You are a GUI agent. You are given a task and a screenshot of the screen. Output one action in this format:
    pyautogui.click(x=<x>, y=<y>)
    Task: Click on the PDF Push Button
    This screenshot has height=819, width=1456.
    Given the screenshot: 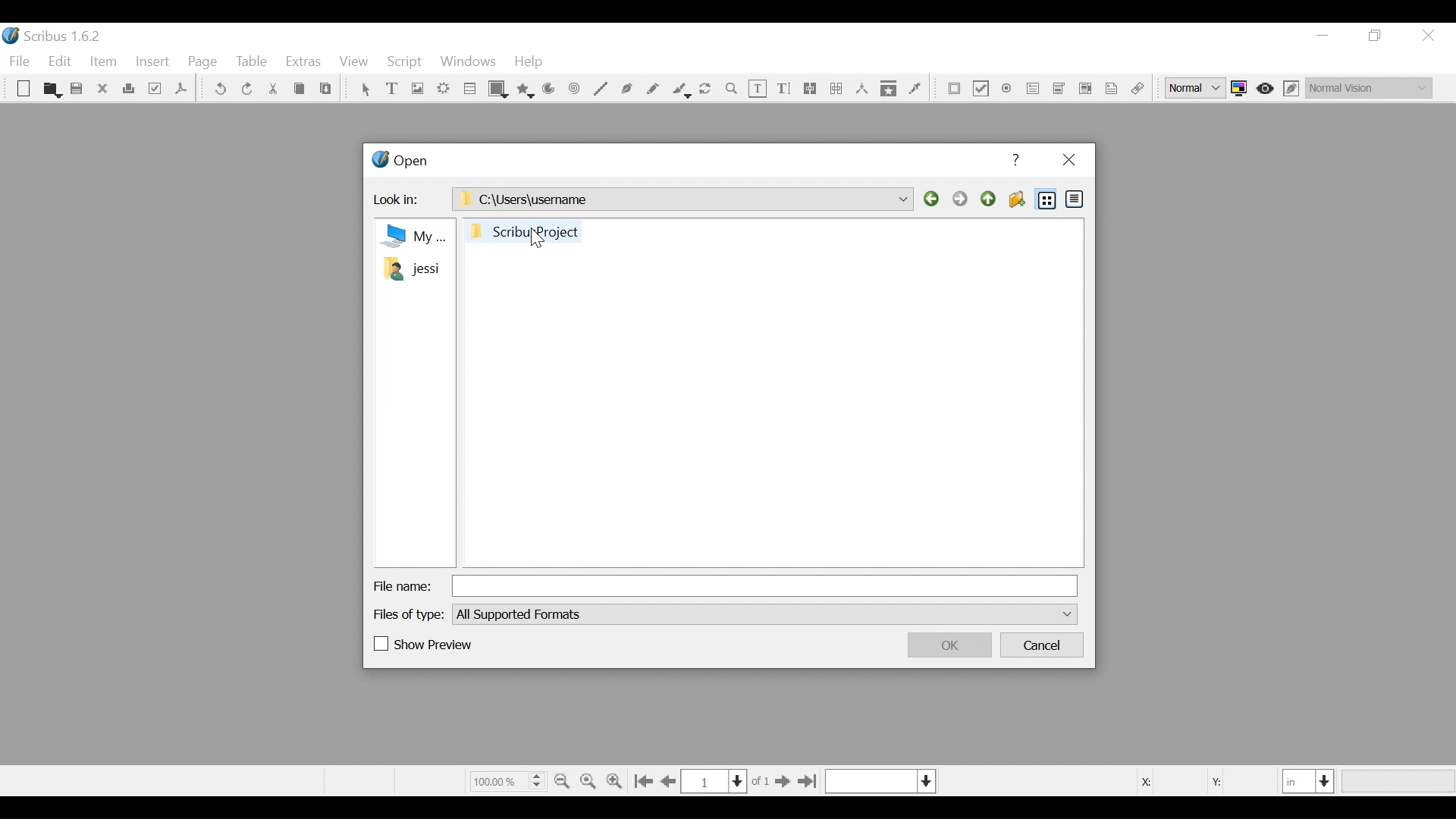 What is the action you would take?
    pyautogui.click(x=955, y=89)
    